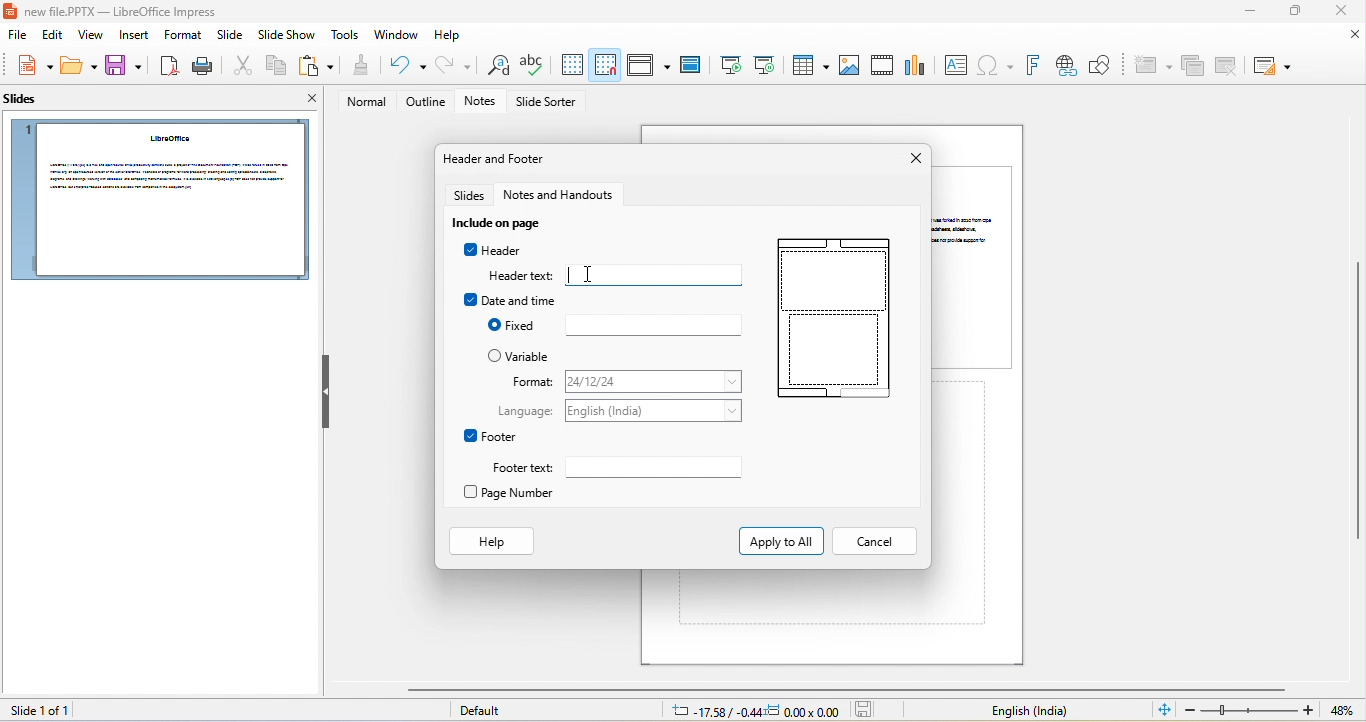 The height and width of the screenshot is (722, 1366). Describe the element at coordinates (470, 196) in the screenshot. I see `slides` at that location.